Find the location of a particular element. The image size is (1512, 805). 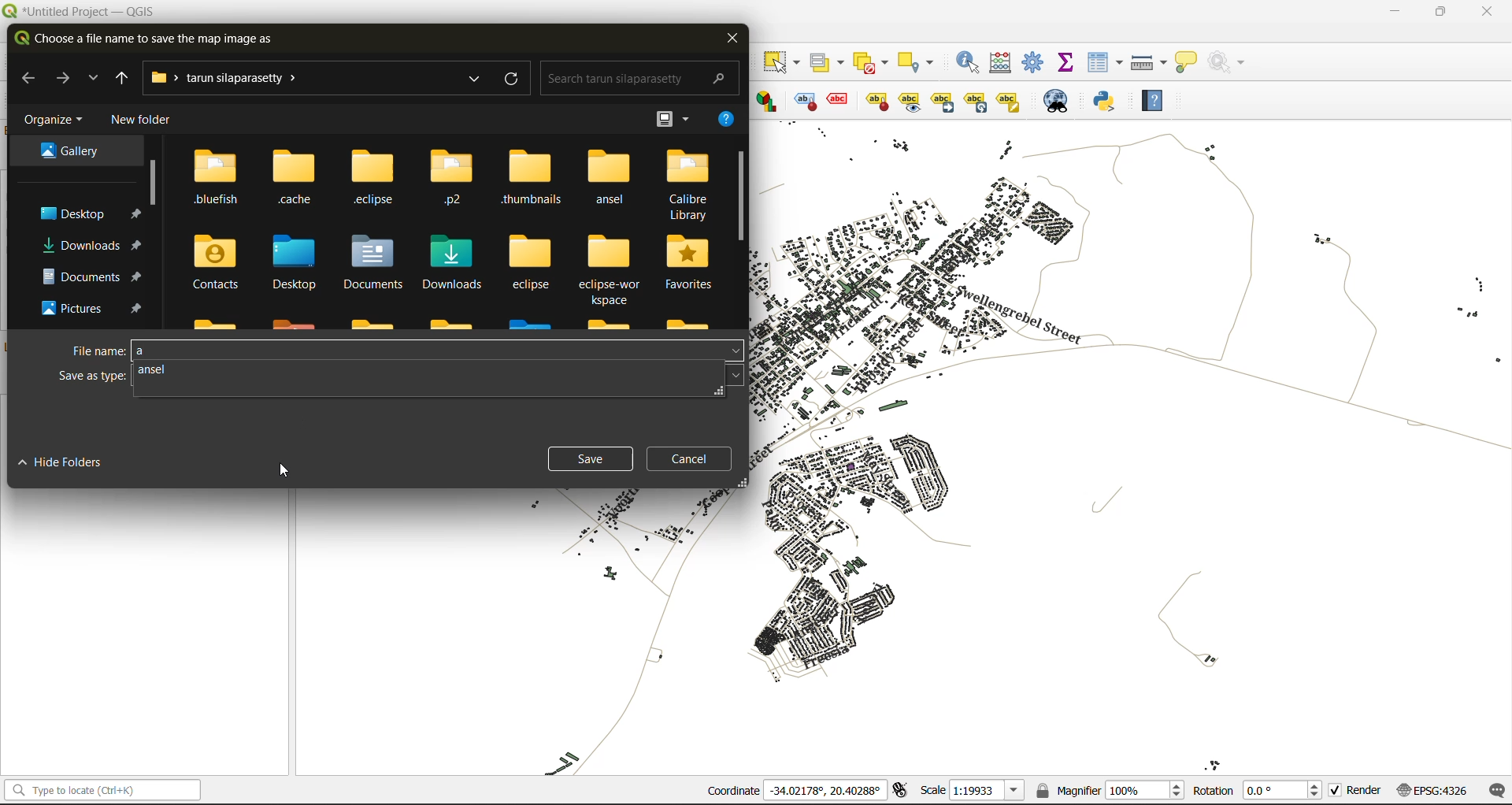

metasearch is located at coordinates (1058, 101).